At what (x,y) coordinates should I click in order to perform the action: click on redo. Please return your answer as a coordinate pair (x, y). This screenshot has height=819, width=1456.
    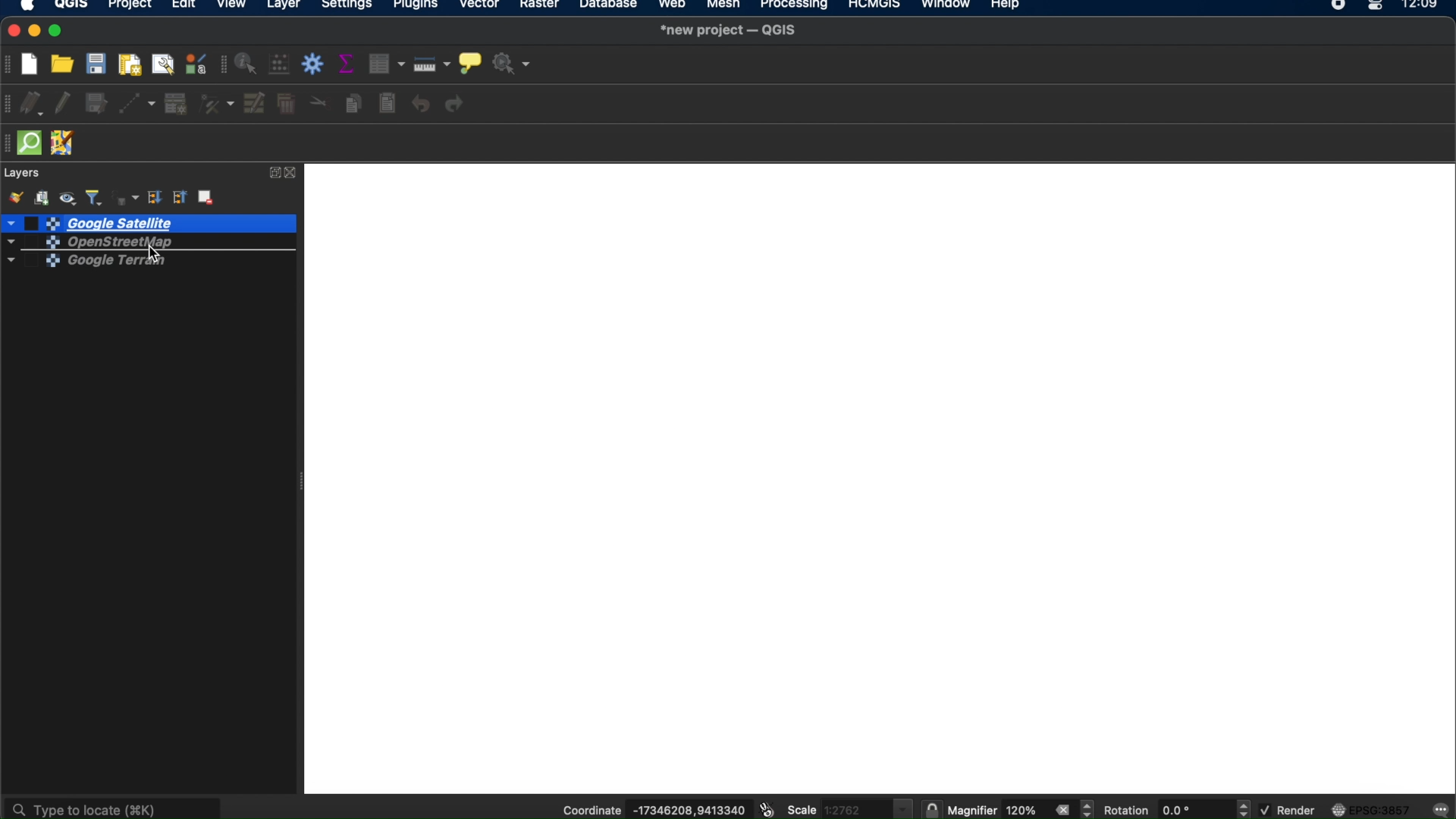
    Looking at the image, I should click on (458, 105).